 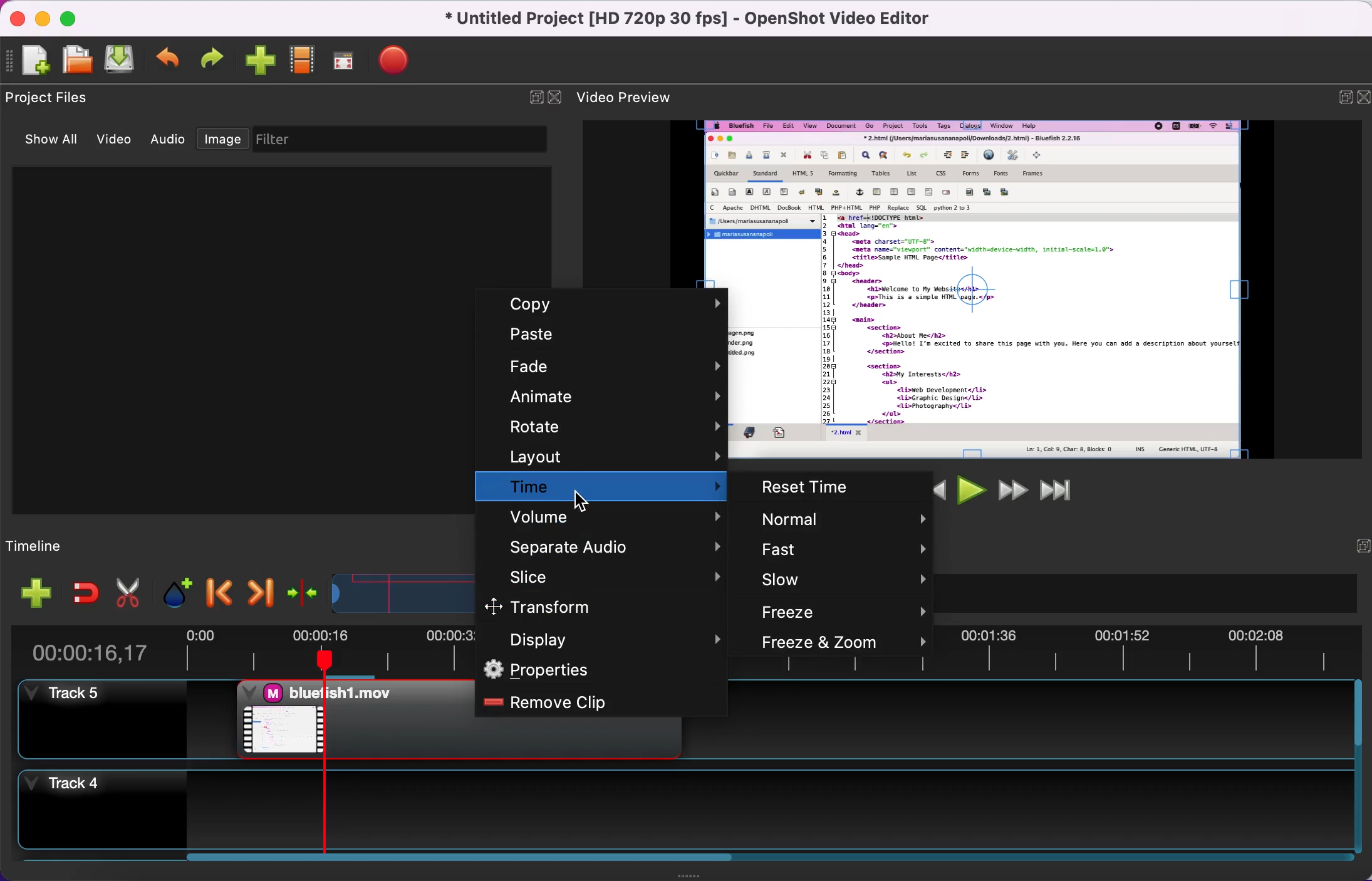 I want to click on title - Untitled Project [HD 720p 30 fps] - OpenShot Video Editor, so click(x=689, y=19).